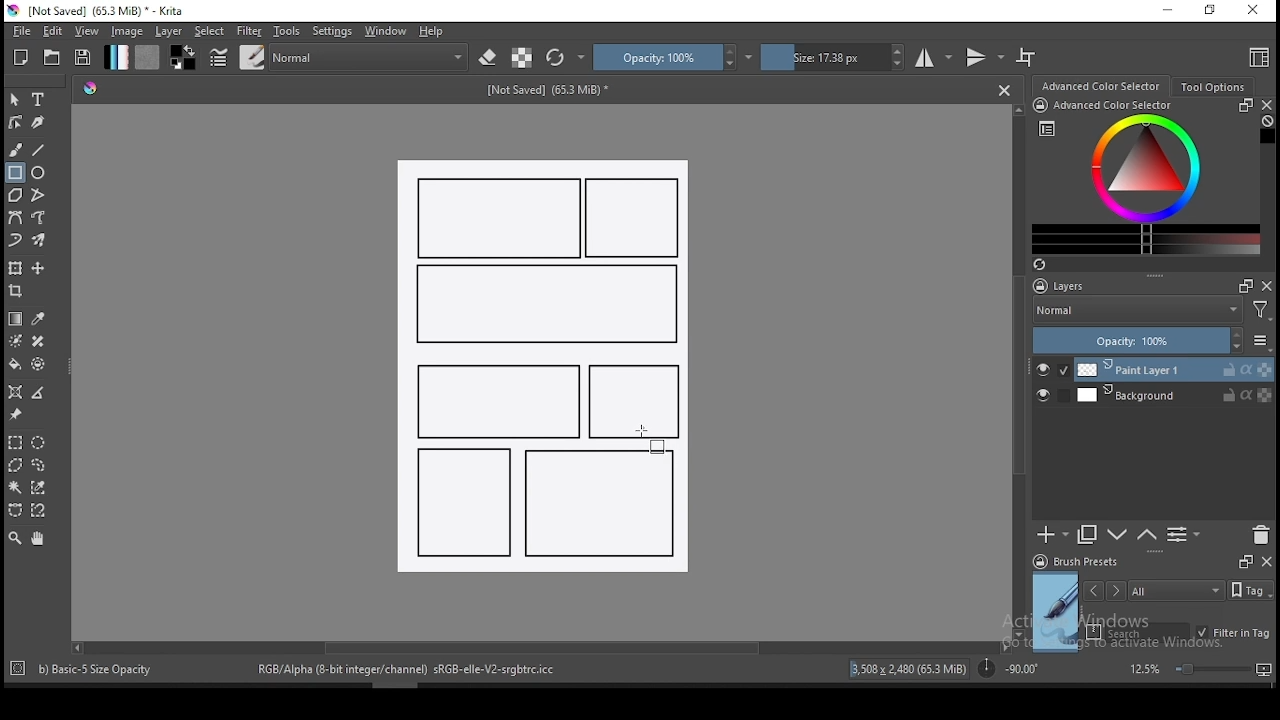 The height and width of the screenshot is (720, 1280). Describe the element at coordinates (147, 57) in the screenshot. I see `pattern` at that location.